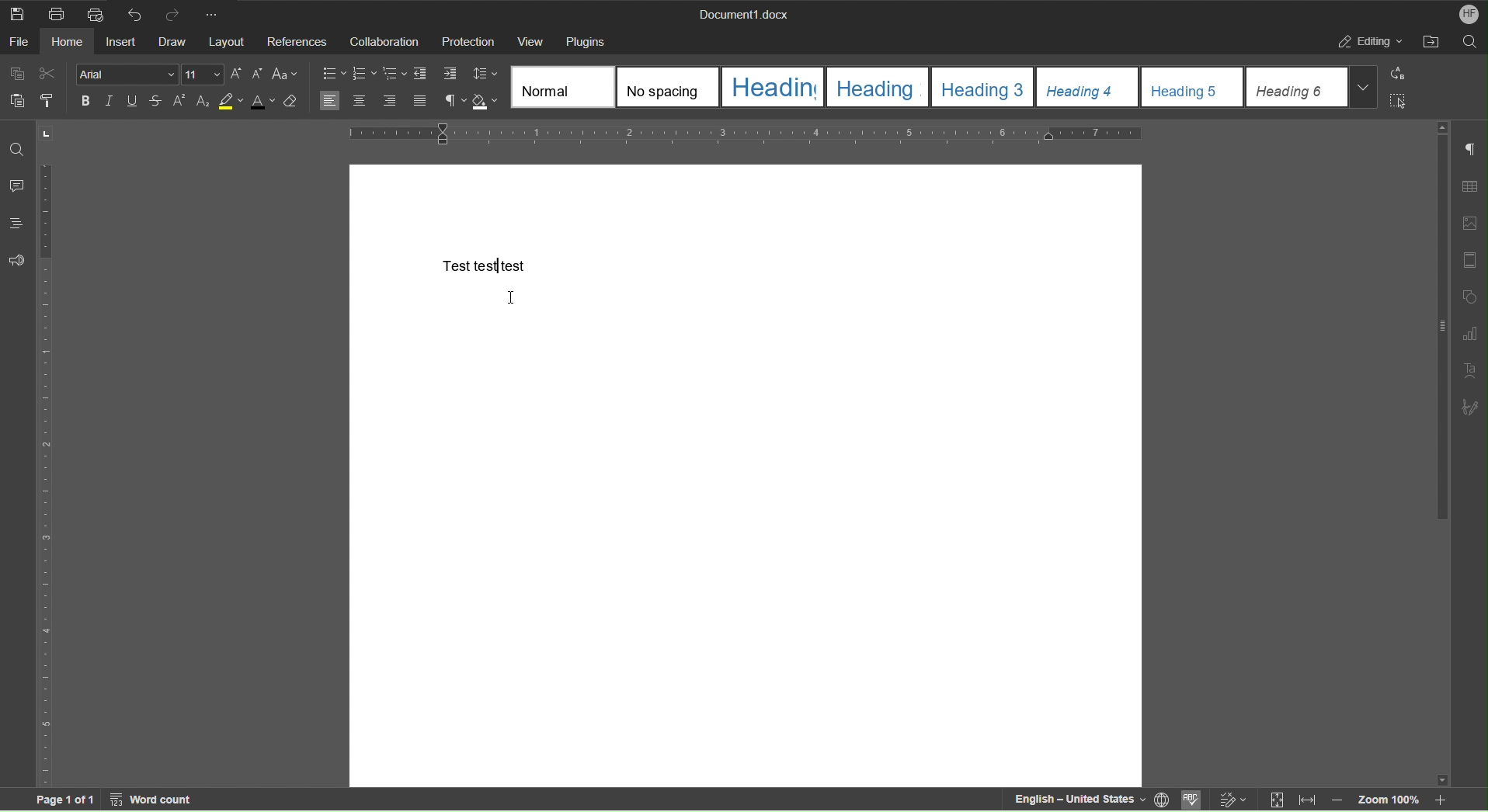 The height and width of the screenshot is (812, 1488). What do you see at coordinates (1395, 800) in the screenshot?
I see `Zoom` at bounding box center [1395, 800].